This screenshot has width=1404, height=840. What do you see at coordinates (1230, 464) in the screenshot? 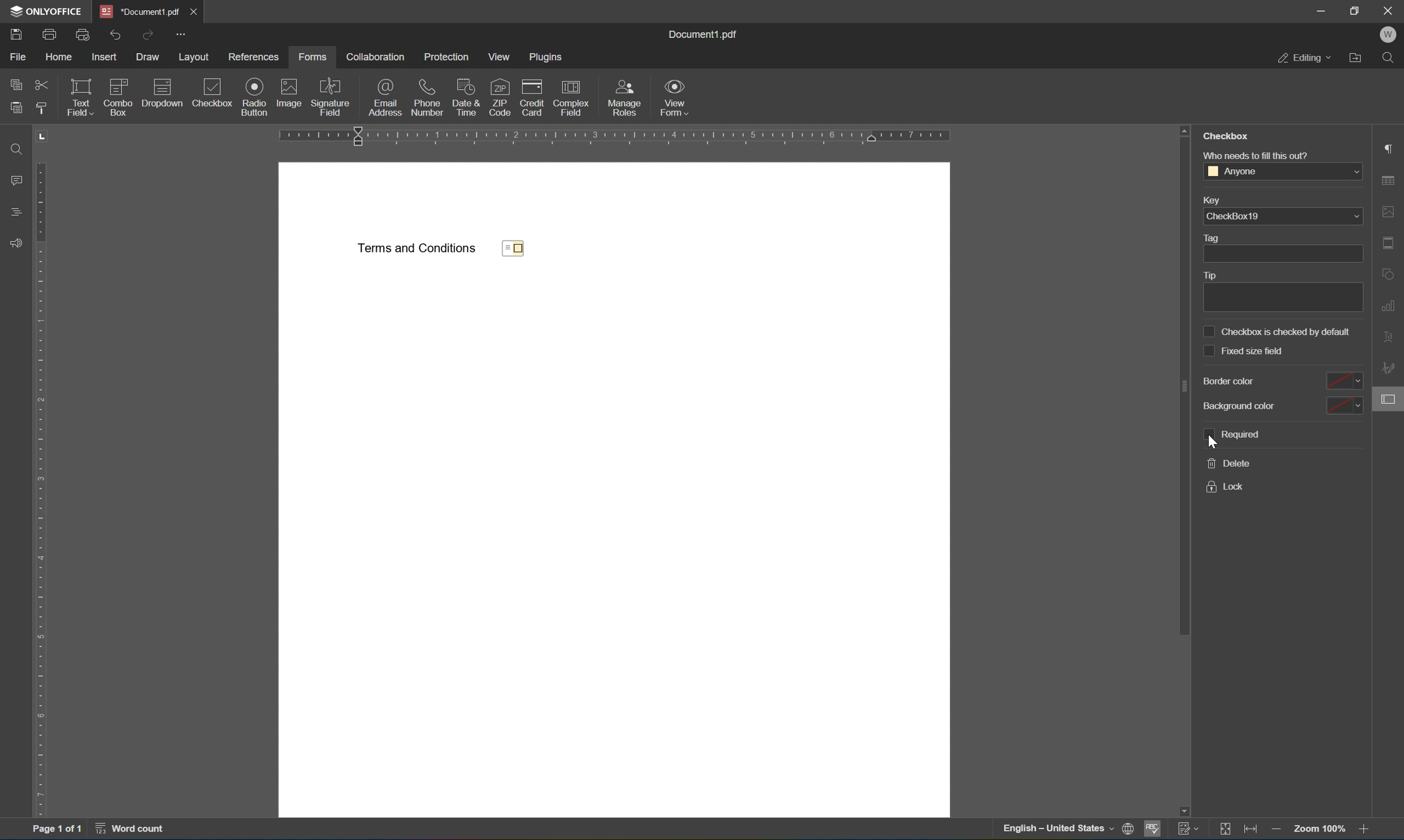
I see `delete` at bounding box center [1230, 464].